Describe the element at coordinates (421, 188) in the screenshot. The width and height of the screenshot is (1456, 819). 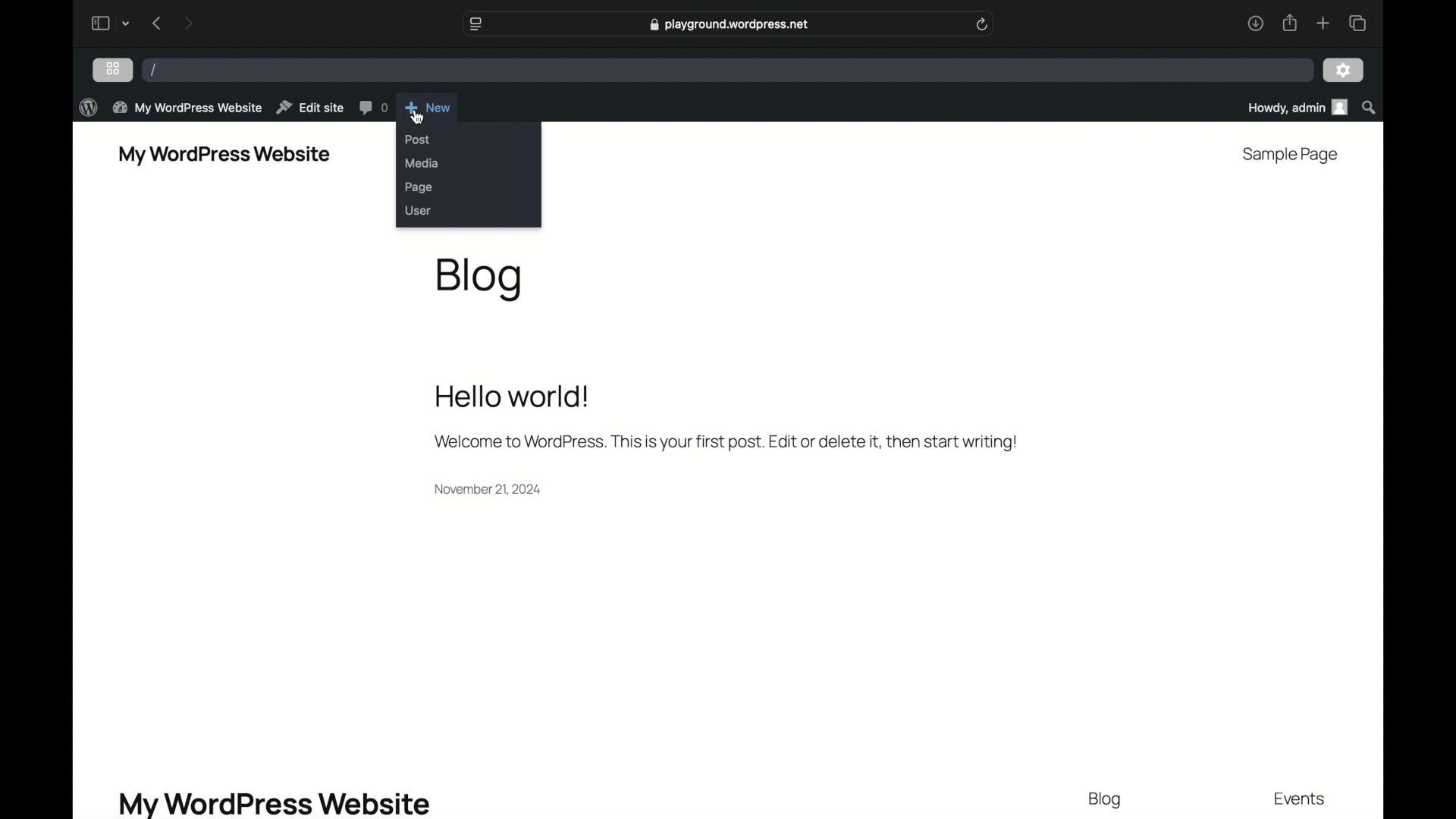
I see `page` at that location.